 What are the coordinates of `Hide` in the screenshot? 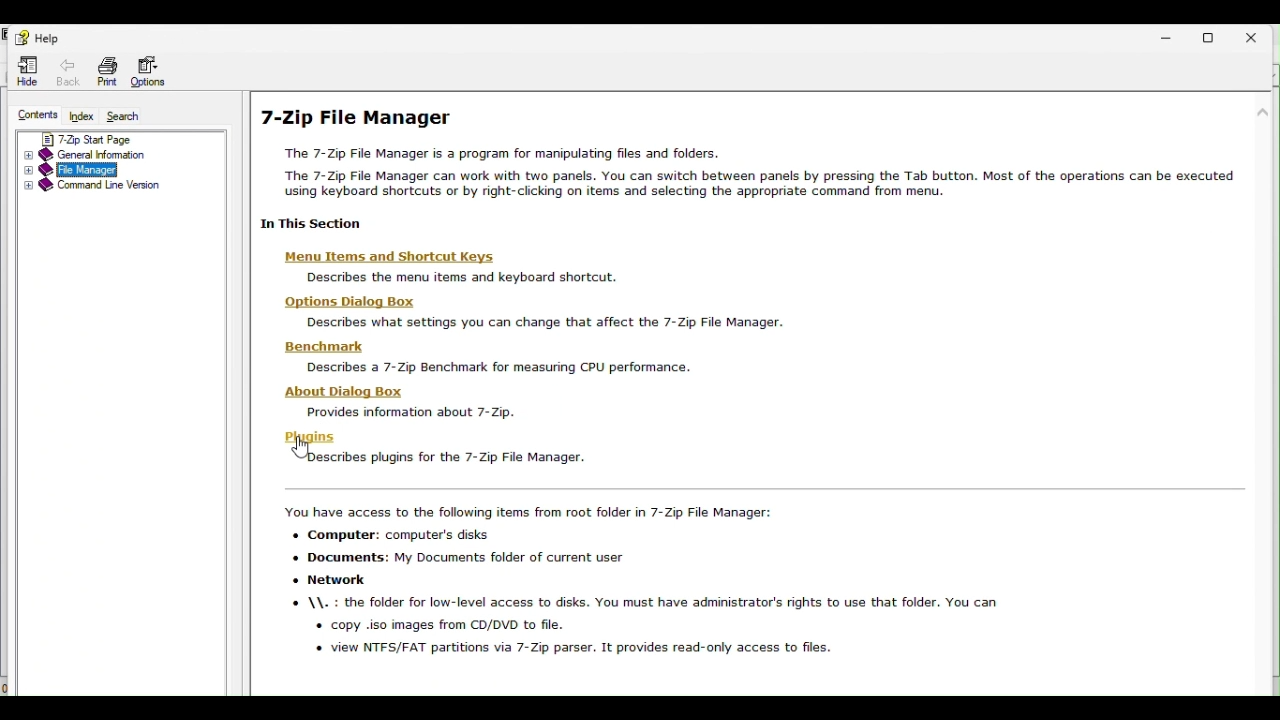 It's located at (23, 73).